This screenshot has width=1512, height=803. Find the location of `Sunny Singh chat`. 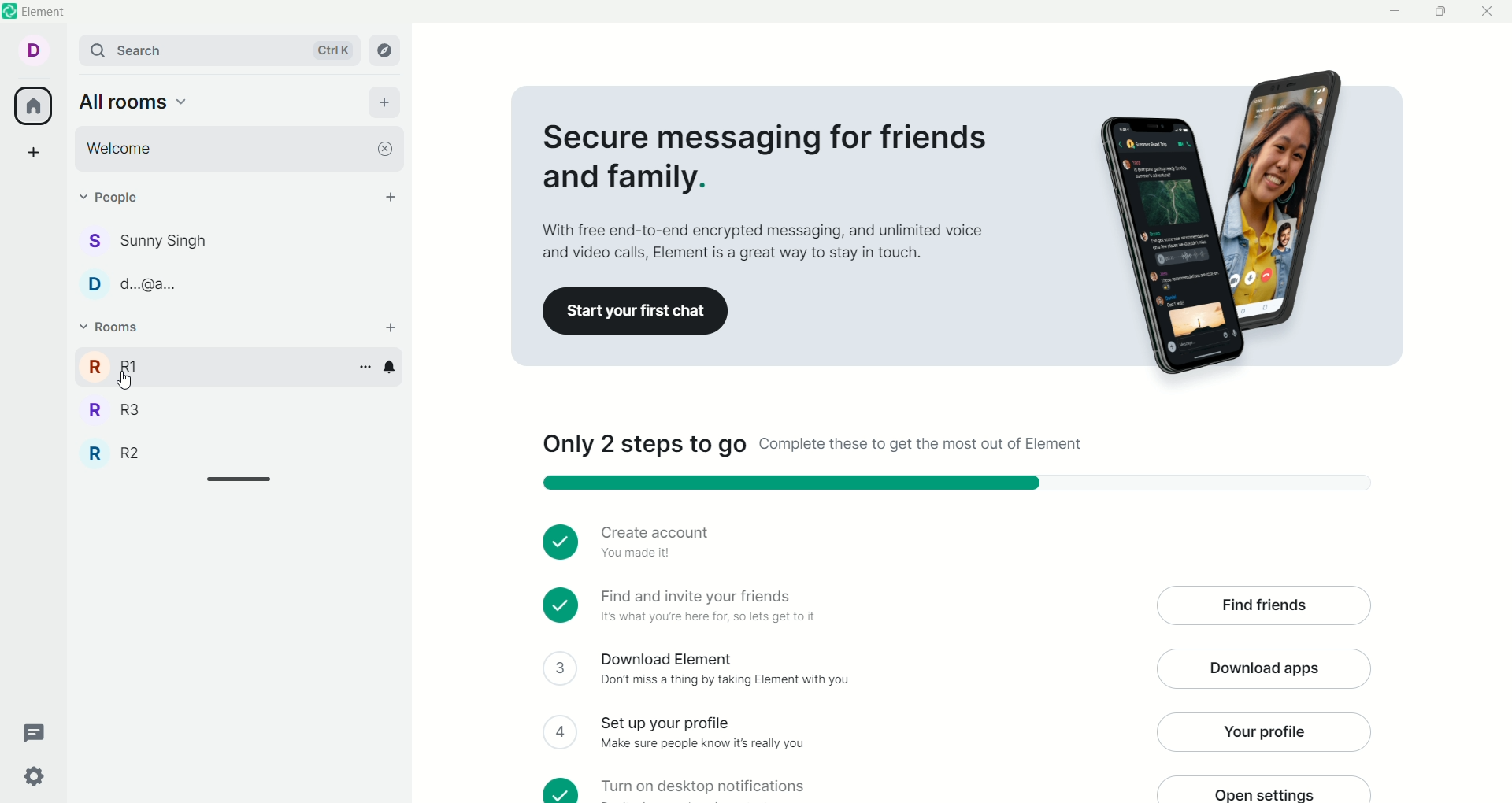

Sunny Singh chat is located at coordinates (145, 241).